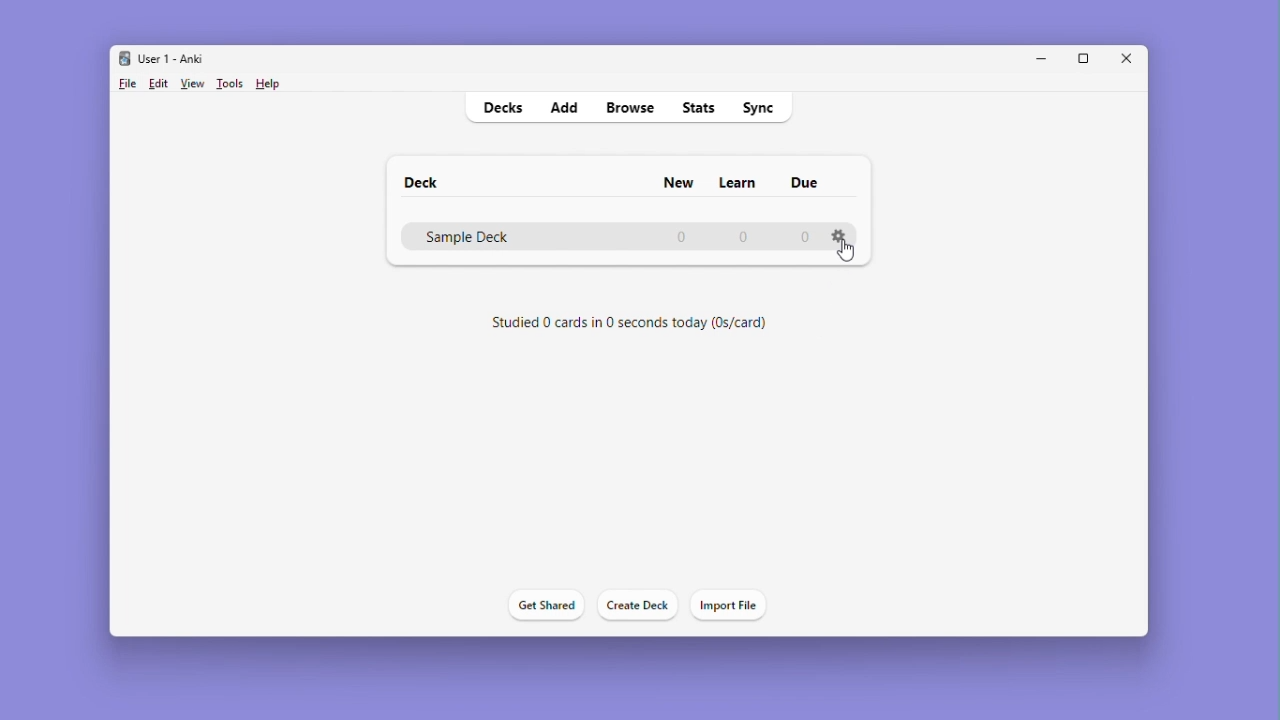 The width and height of the screenshot is (1280, 720). I want to click on New, so click(680, 182).